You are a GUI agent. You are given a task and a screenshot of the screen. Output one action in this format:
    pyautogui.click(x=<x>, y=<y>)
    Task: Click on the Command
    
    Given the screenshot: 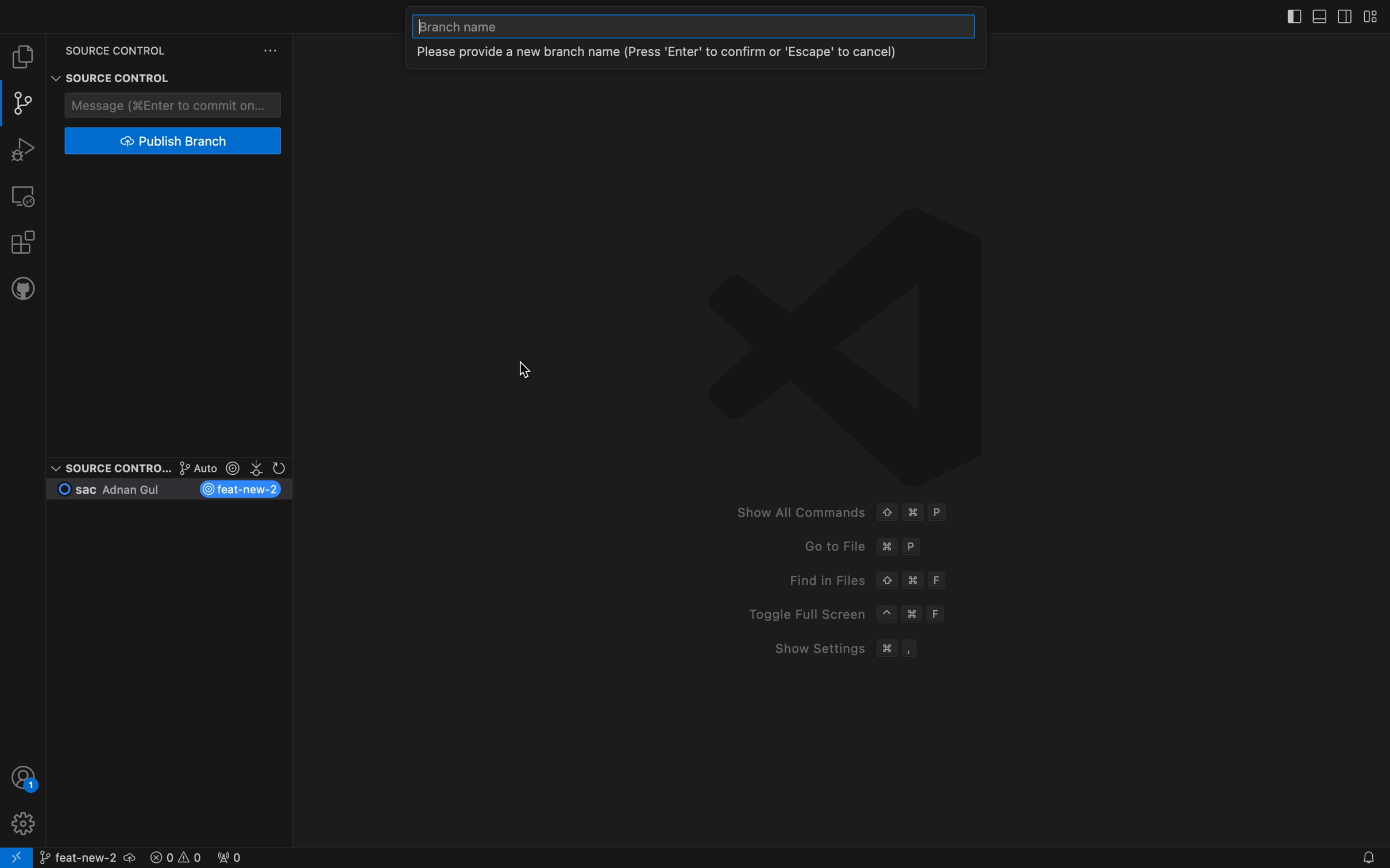 What is the action you would take?
    pyautogui.click(x=916, y=616)
    